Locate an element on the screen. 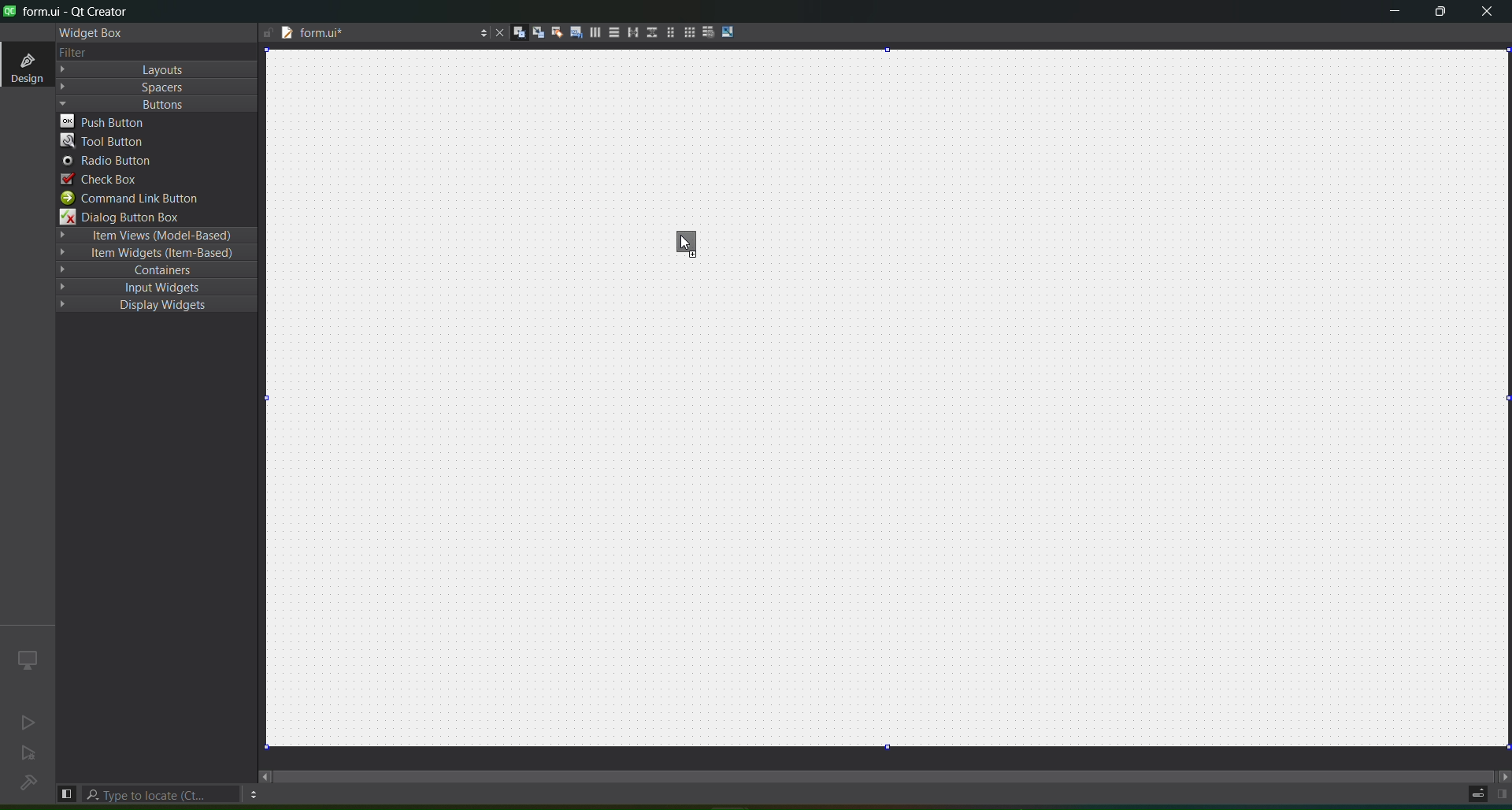 Image resolution: width=1512 pixels, height=810 pixels. show right panel is located at coordinates (1502, 793).